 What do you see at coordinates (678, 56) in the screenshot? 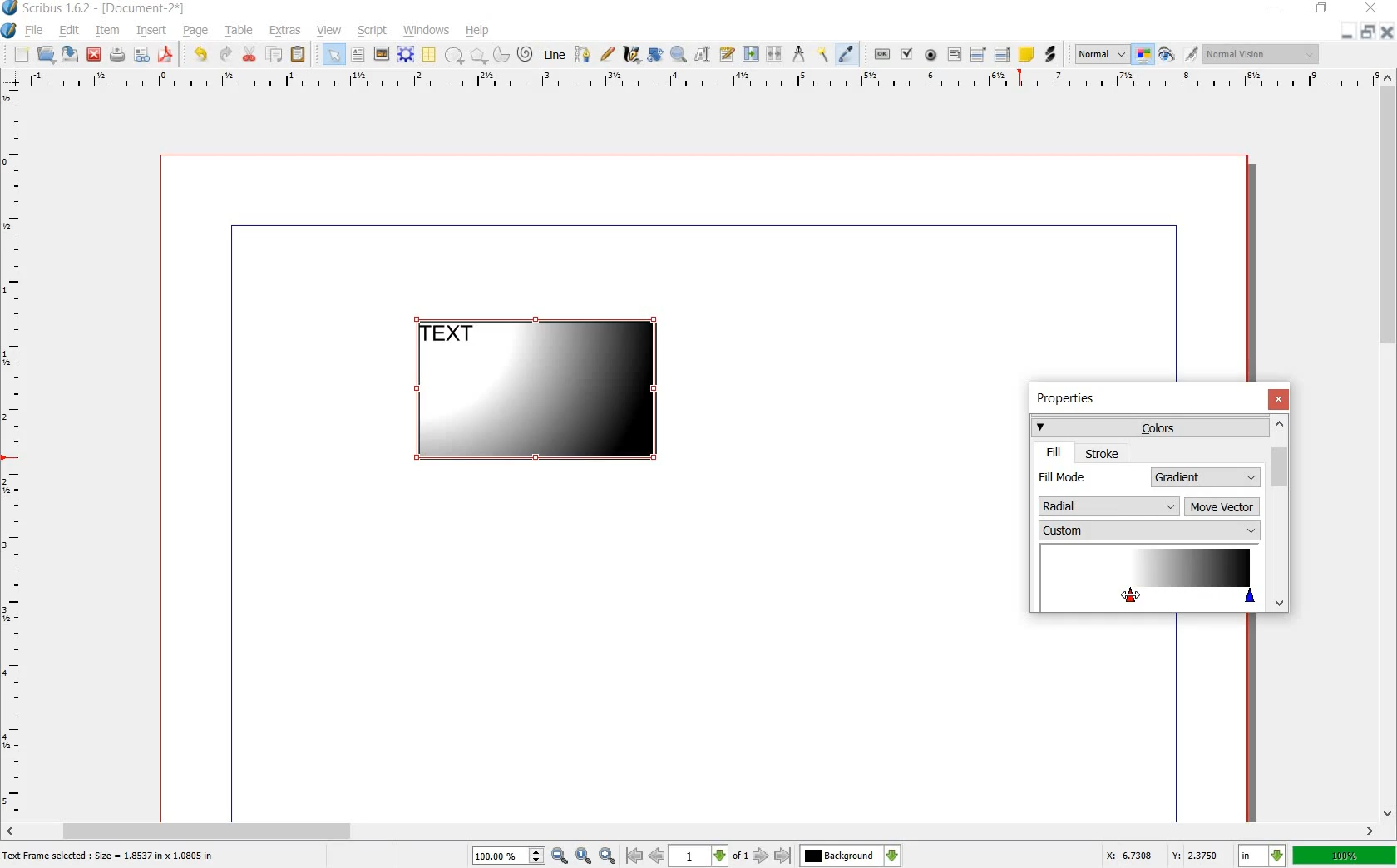
I see `zoom in or out` at bounding box center [678, 56].